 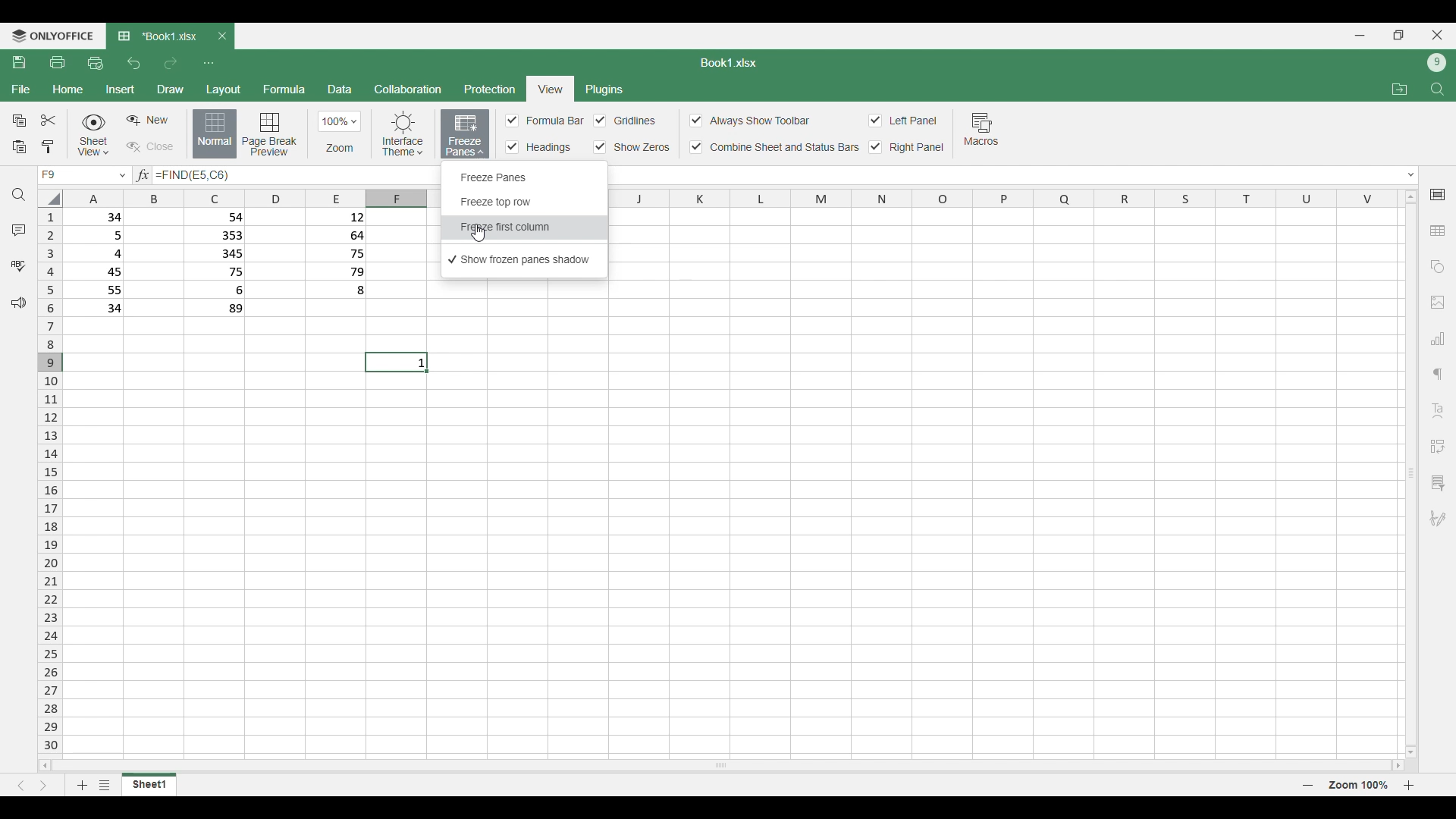 What do you see at coordinates (624, 121) in the screenshot?
I see `Toggles for each cell` at bounding box center [624, 121].